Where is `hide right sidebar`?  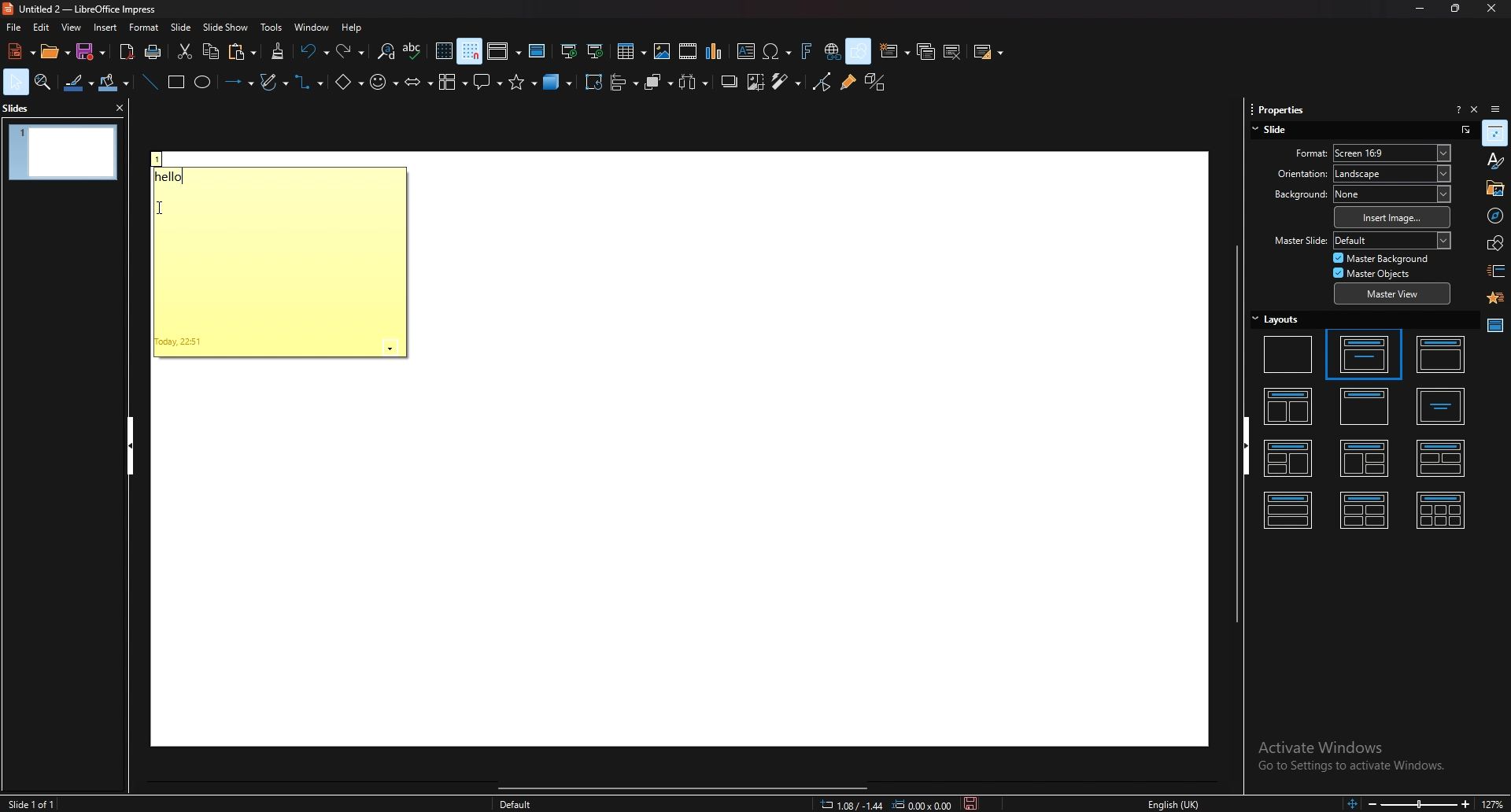
hide right sidebar is located at coordinates (1252, 445).